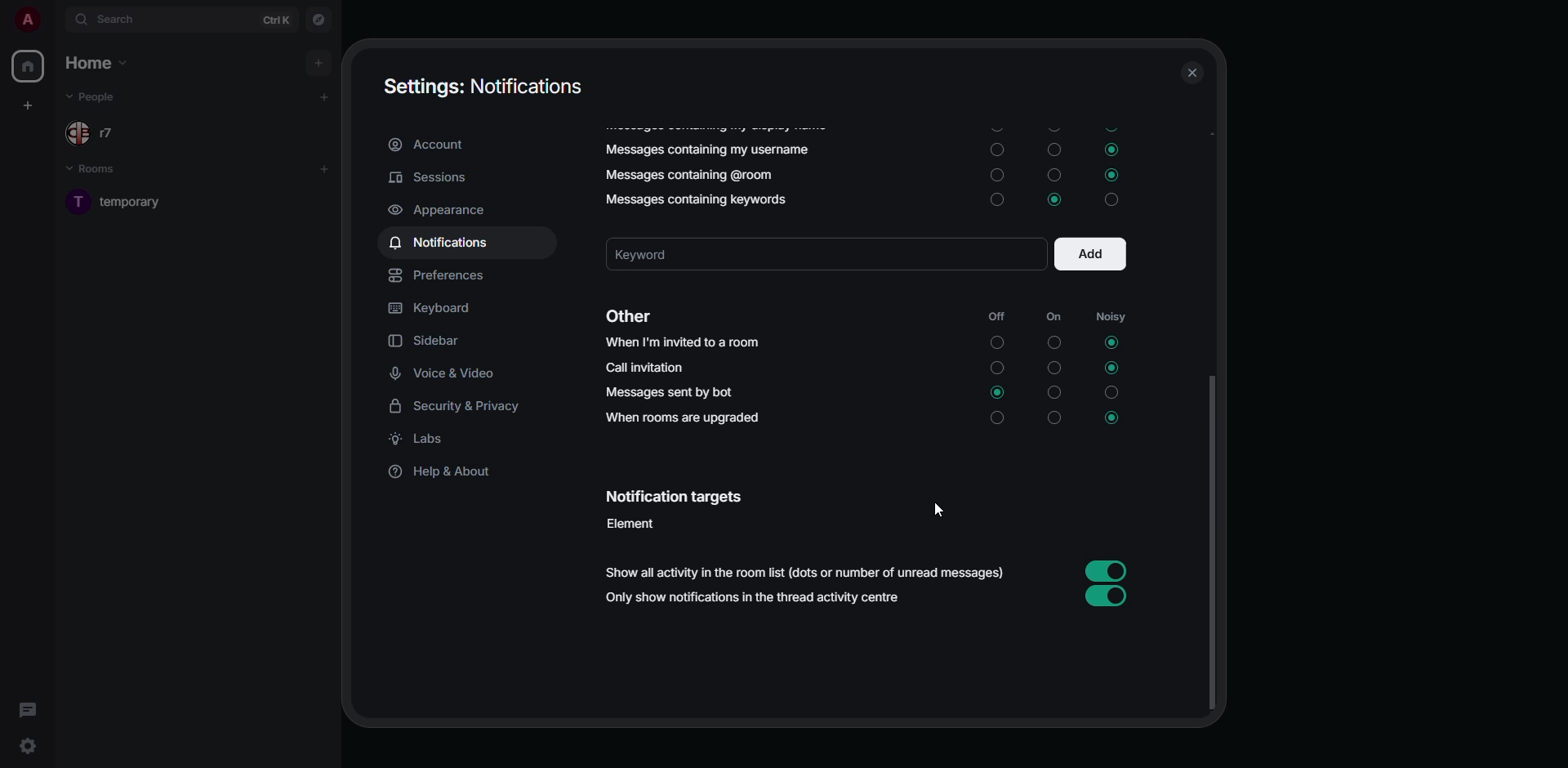 This screenshot has height=768, width=1568. Describe the element at coordinates (432, 179) in the screenshot. I see `sessions` at that location.